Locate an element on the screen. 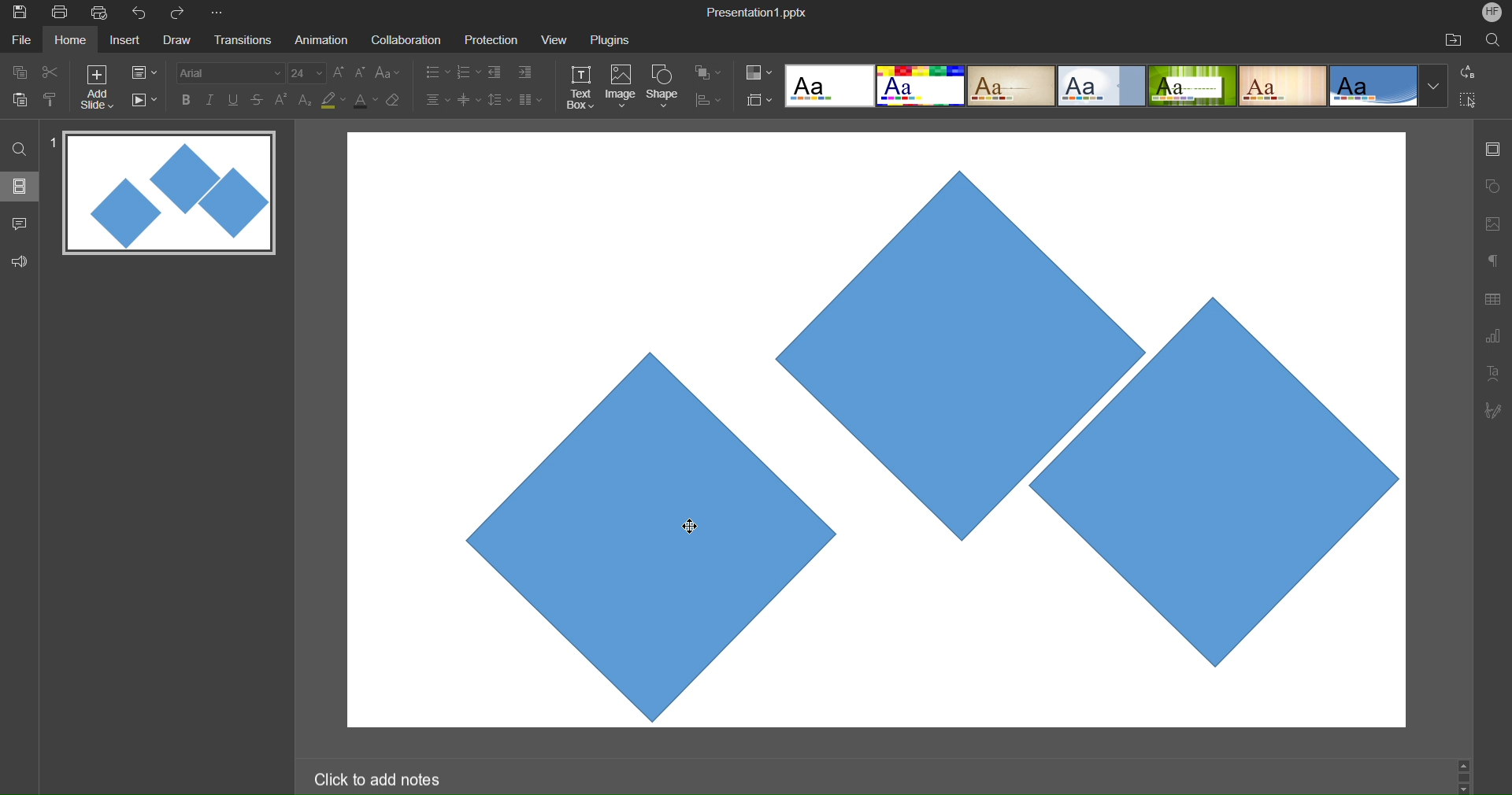 The height and width of the screenshot is (795, 1512). View is located at coordinates (550, 39).